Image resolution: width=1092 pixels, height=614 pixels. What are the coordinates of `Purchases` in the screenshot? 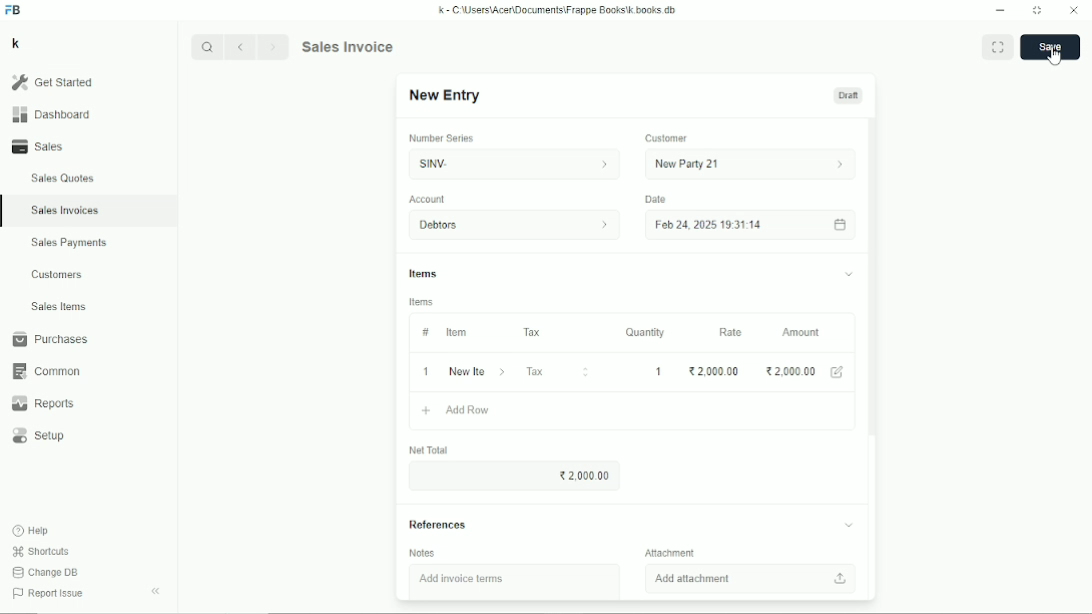 It's located at (49, 339).